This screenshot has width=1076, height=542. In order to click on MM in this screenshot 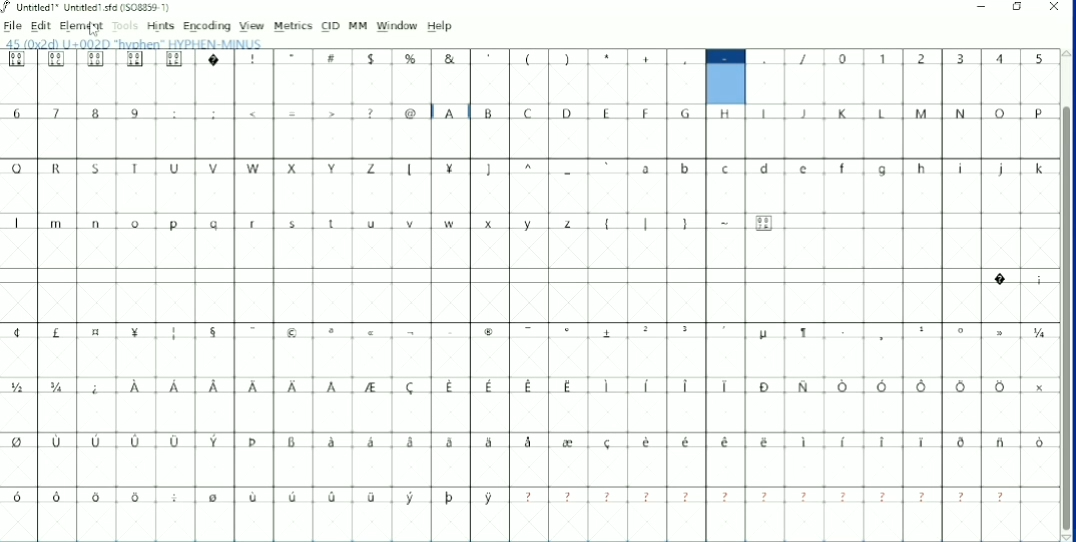, I will do `click(358, 26)`.